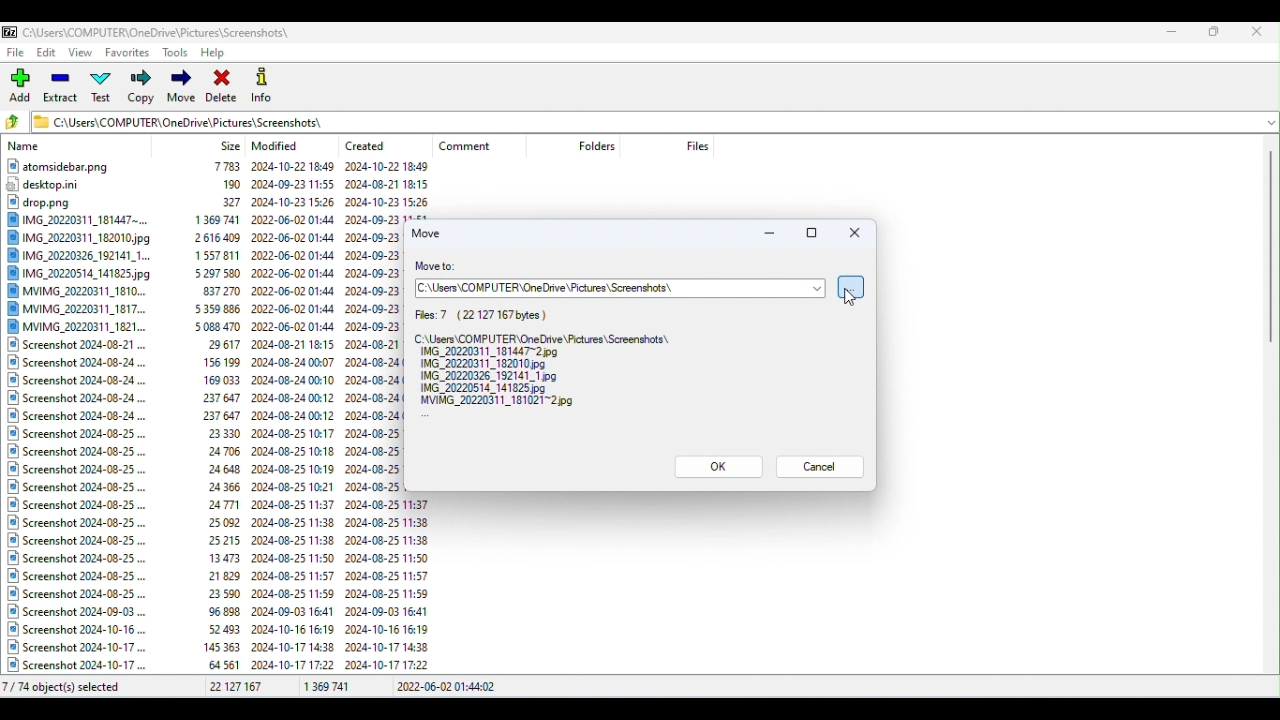 This screenshot has height=720, width=1280. I want to click on Go back, so click(16, 123).